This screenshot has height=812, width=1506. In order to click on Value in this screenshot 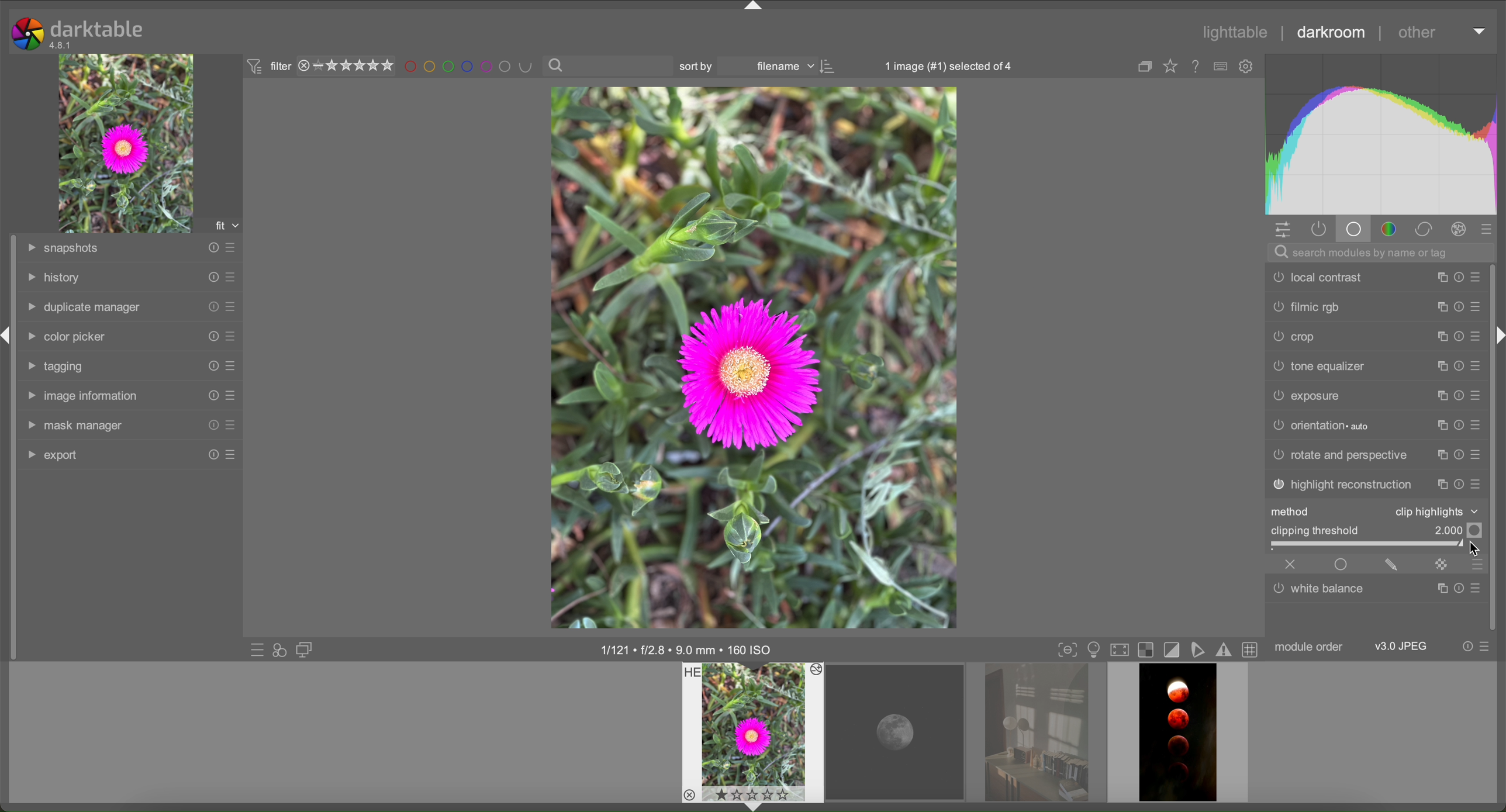, I will do `click(1457, 530)`.